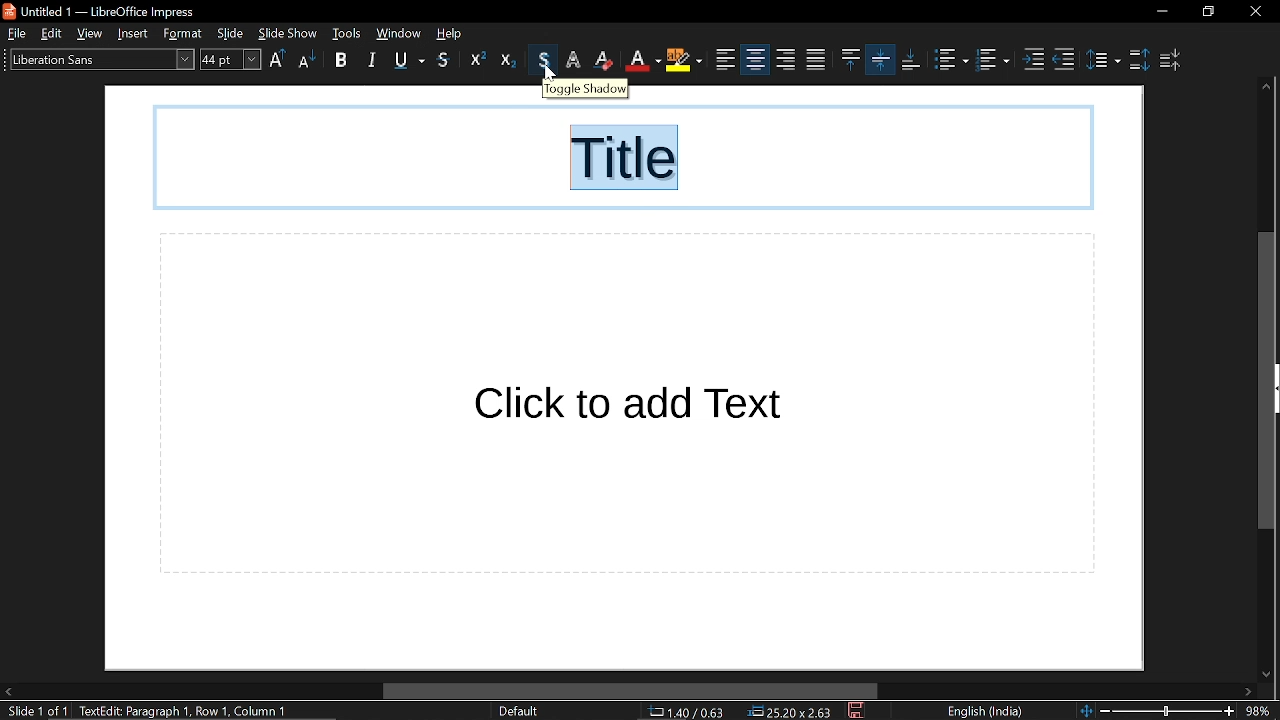 This screenshot has width=1280, height=720. Describe the element at coordinates (454, 33) in the screenshot. I see `help` at that location.